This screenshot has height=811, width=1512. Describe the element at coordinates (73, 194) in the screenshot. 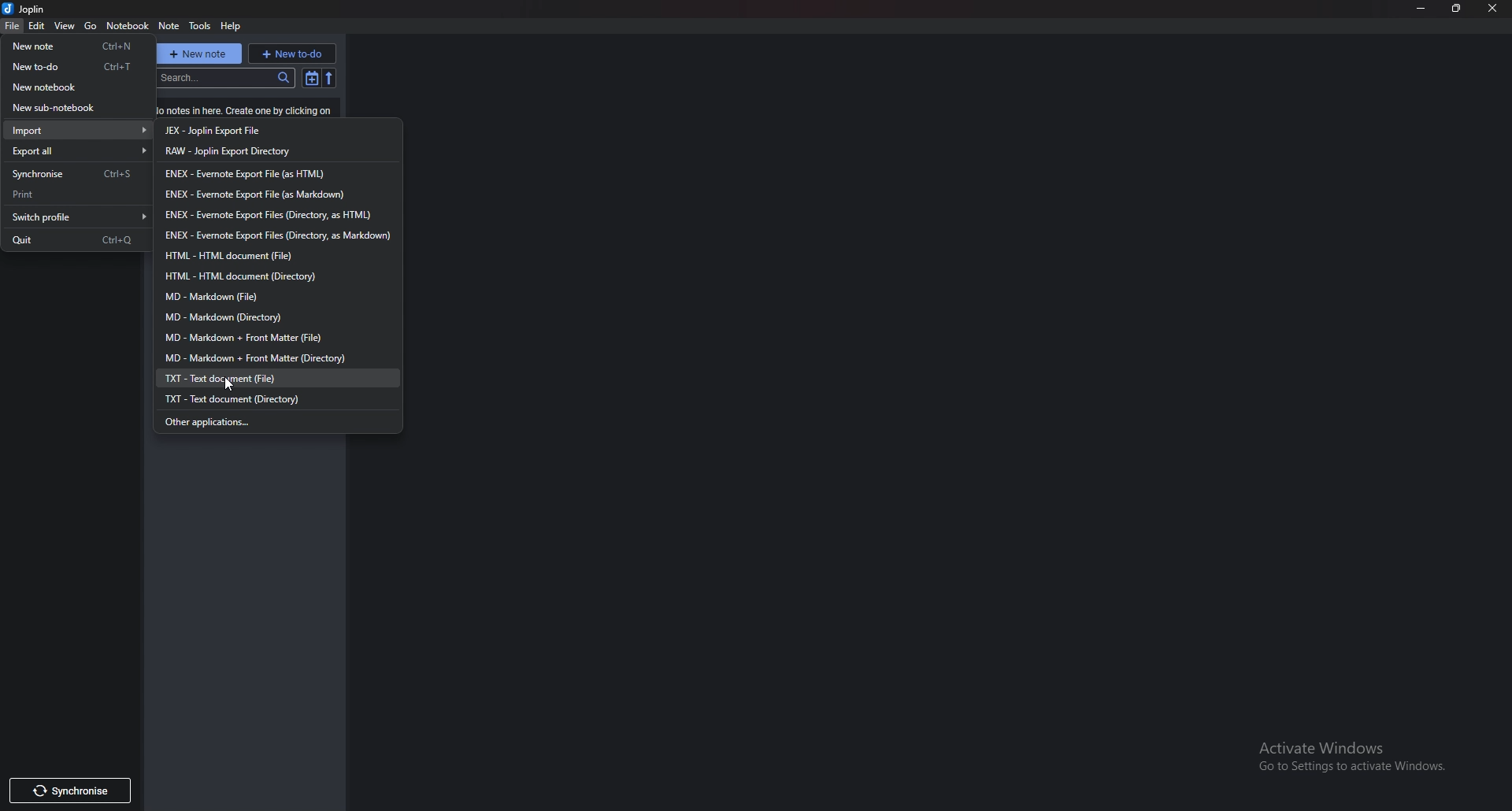

I see `Print` at that location.